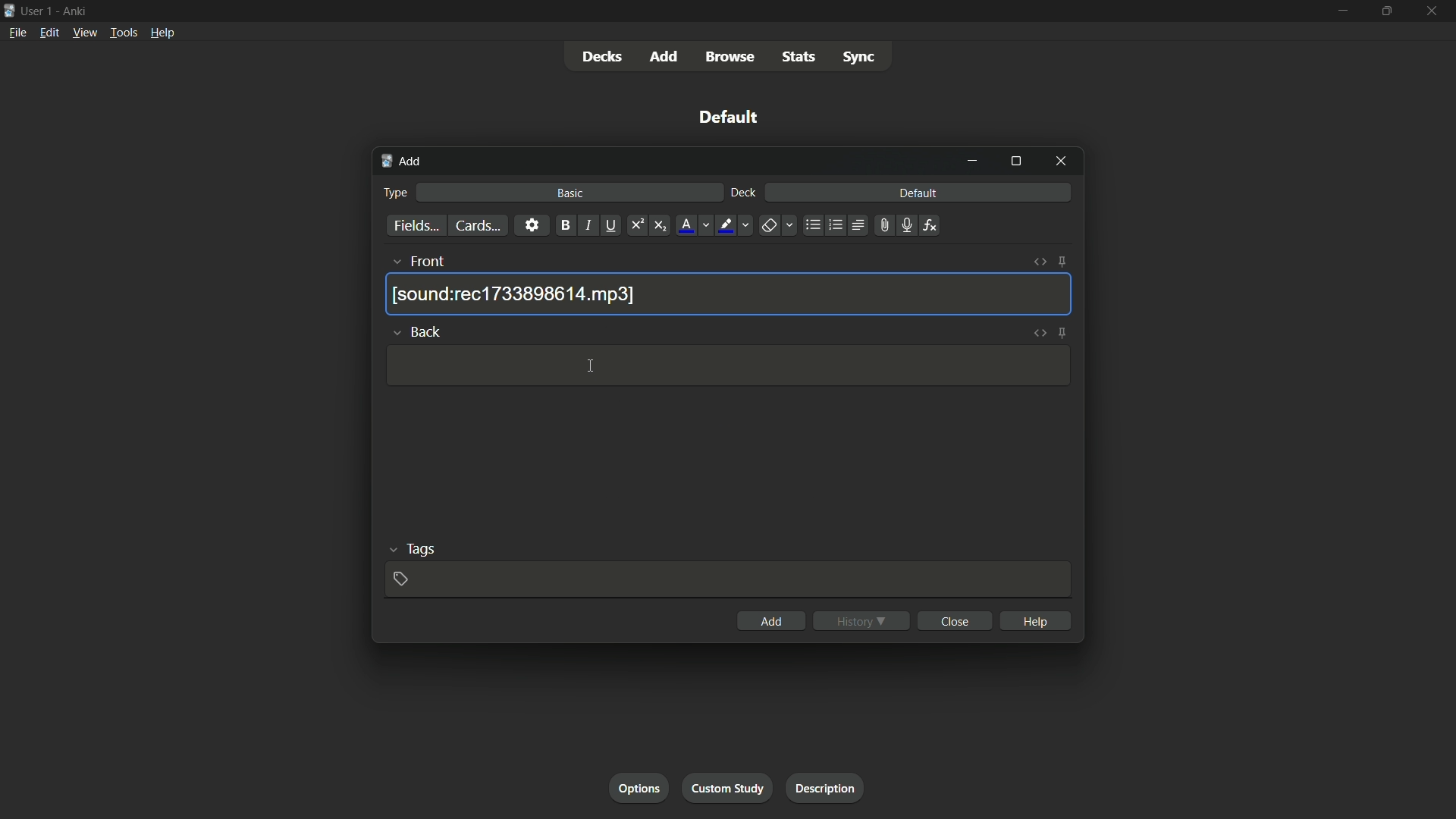 The width and height of the screenshot is (1456, 819). I want to click on description, so click(822, 788).